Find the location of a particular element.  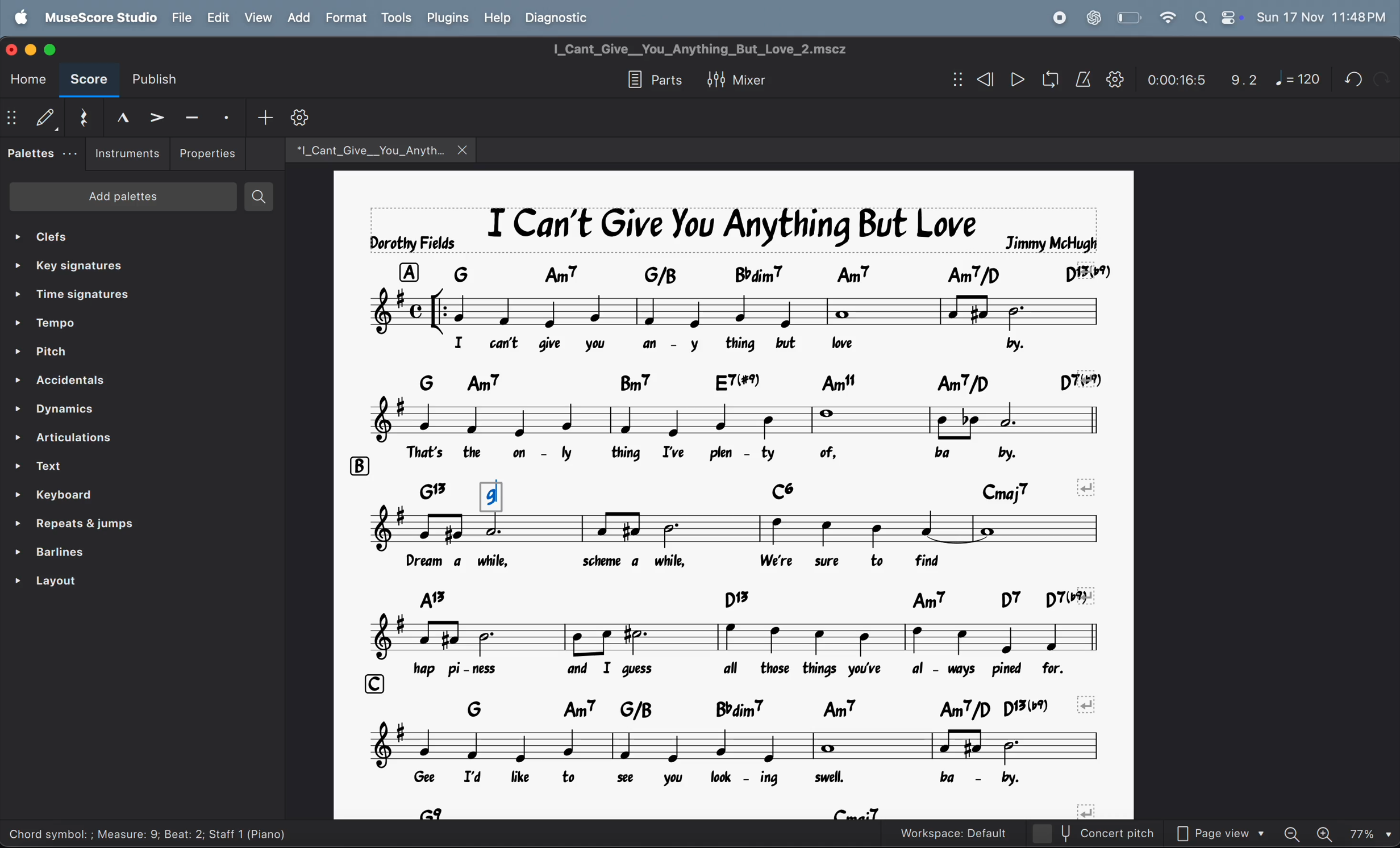

b row is located at coordinates (356, 465).